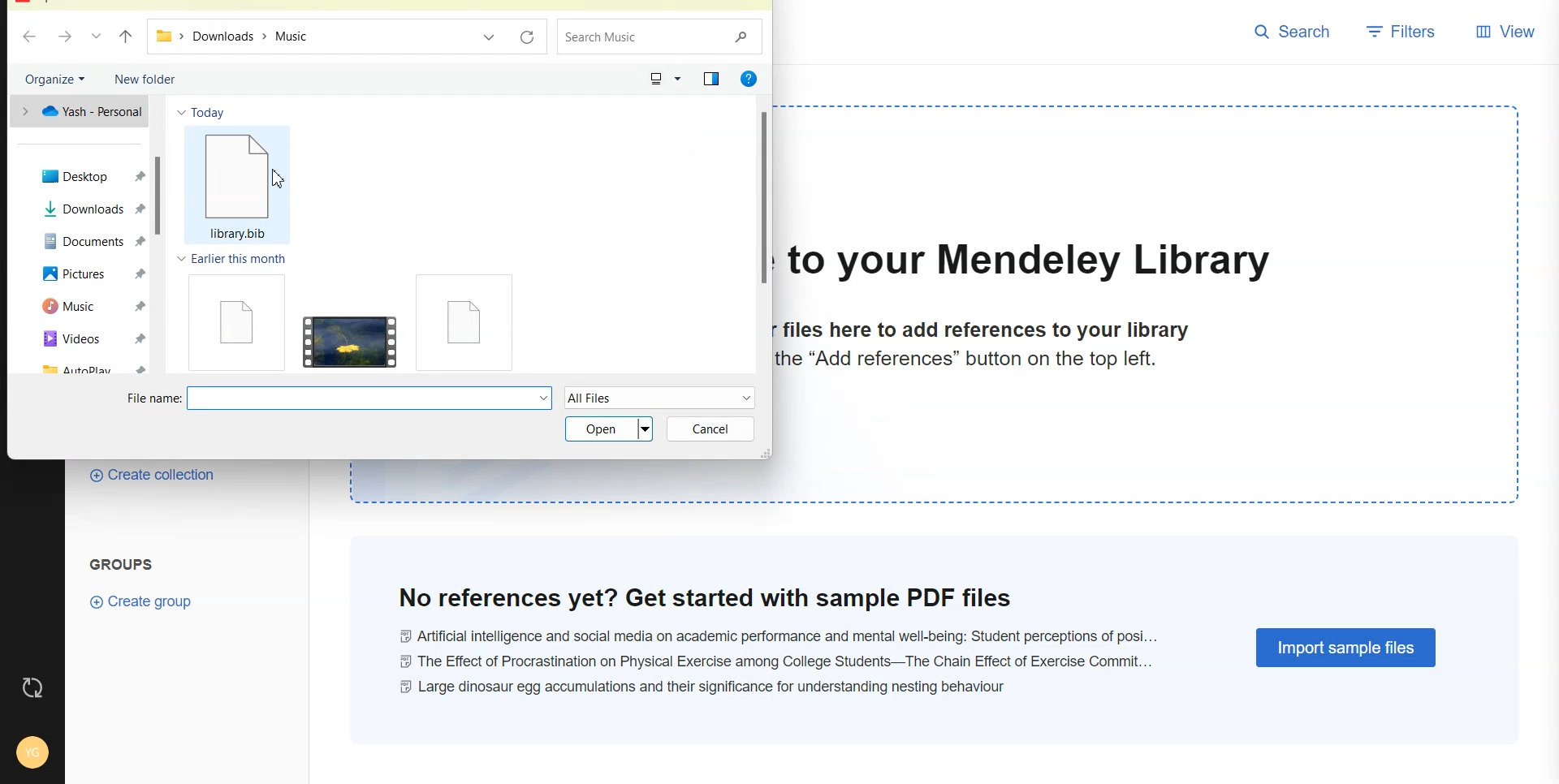 The image size is (1559, 784). I want to click on Video File, so click(343, 321).